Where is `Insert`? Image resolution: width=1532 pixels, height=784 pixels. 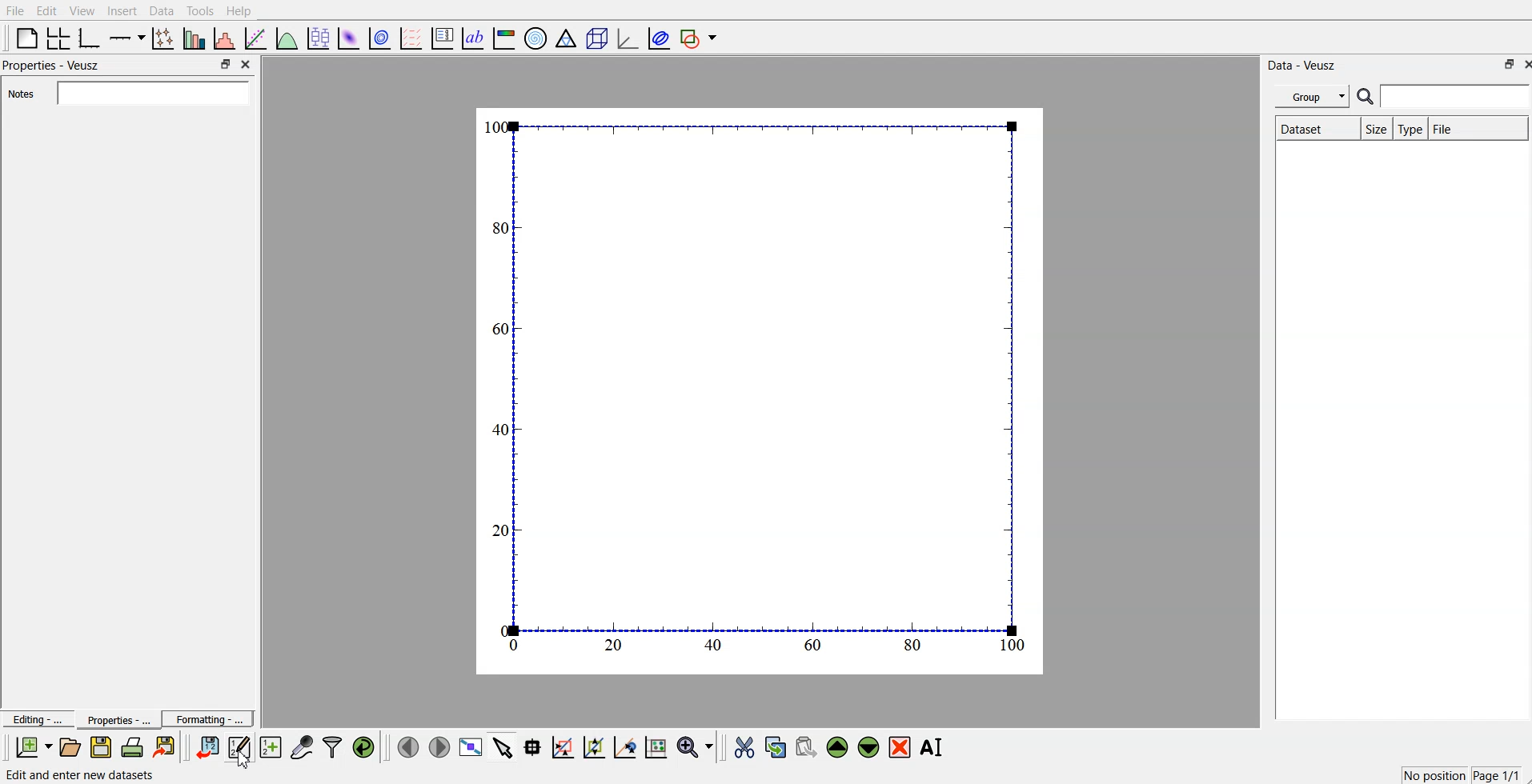
Insert is located at coordinates (120, 11).